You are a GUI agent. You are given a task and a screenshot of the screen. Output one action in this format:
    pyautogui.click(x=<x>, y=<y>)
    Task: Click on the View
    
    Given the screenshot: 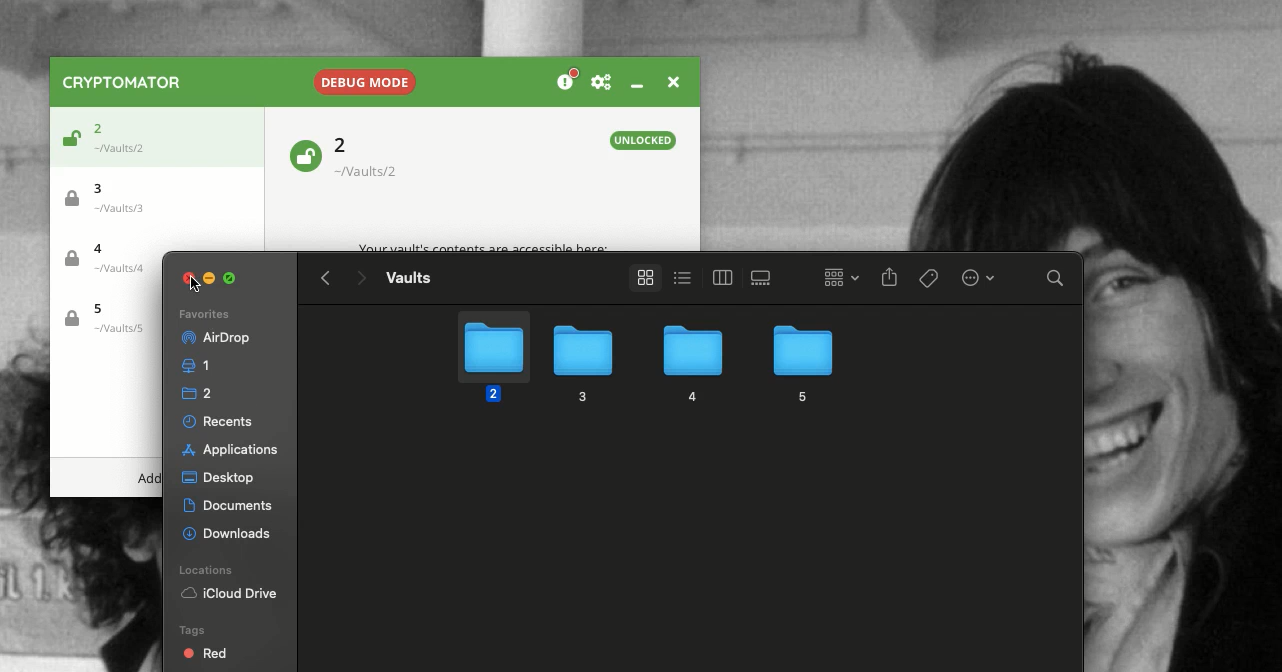 What is the action you would take?
    pyautogui.click(x=641, y=278)
    